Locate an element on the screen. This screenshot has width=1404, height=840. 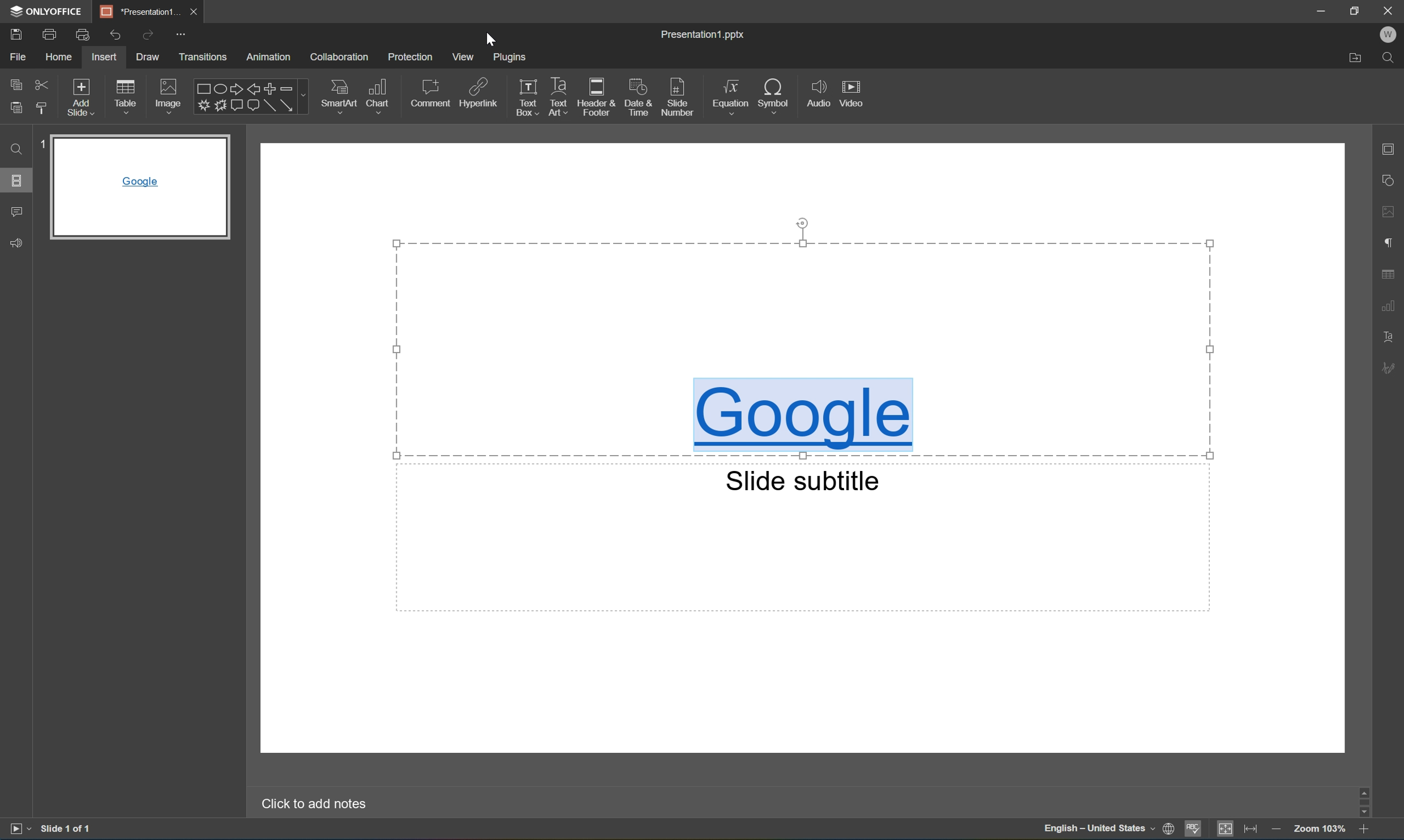
Chart is located at coordinates (380, 97).